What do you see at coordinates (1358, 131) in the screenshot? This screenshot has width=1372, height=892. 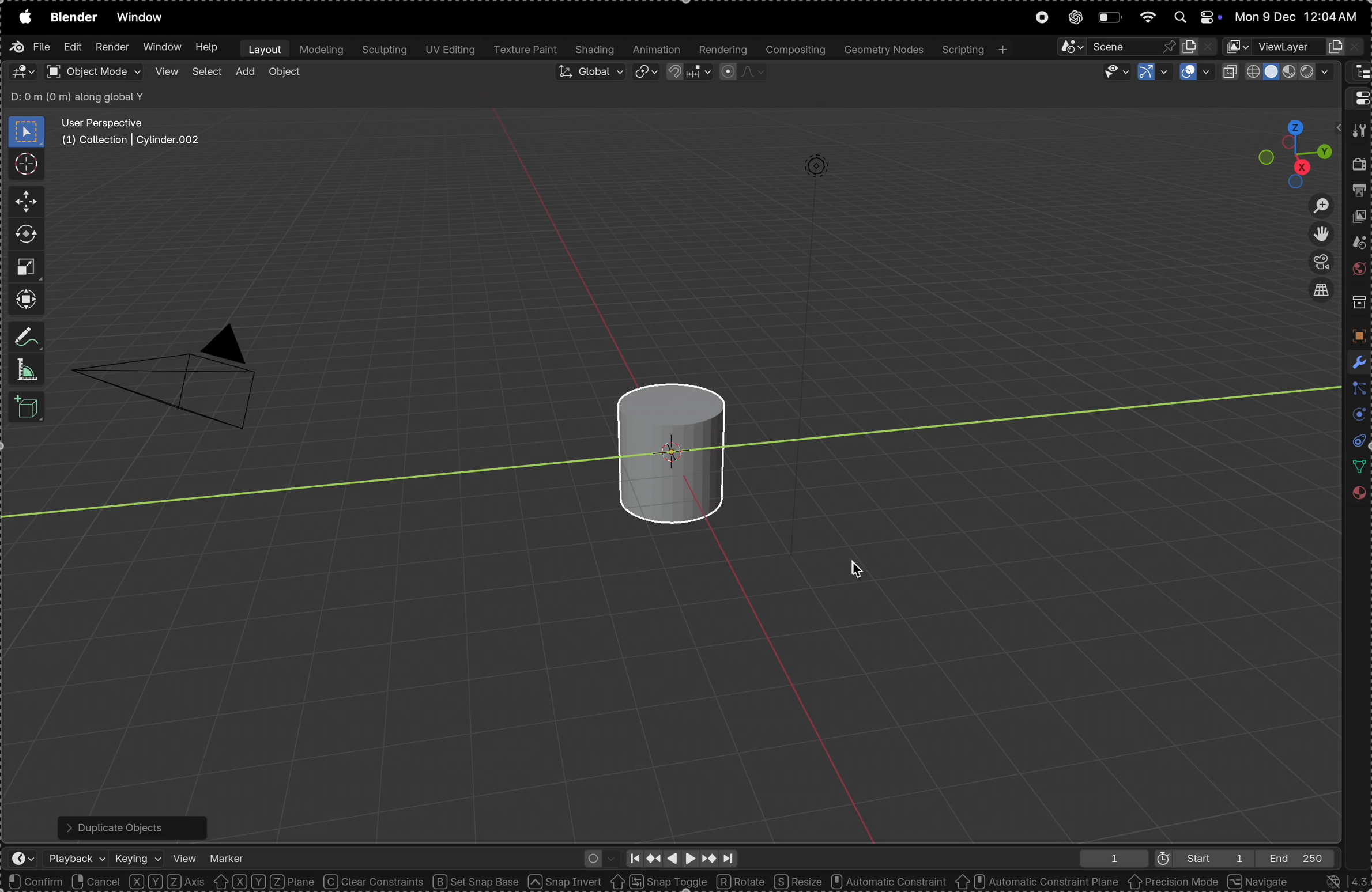 I see `tool` at bounding box center [1358, 131].